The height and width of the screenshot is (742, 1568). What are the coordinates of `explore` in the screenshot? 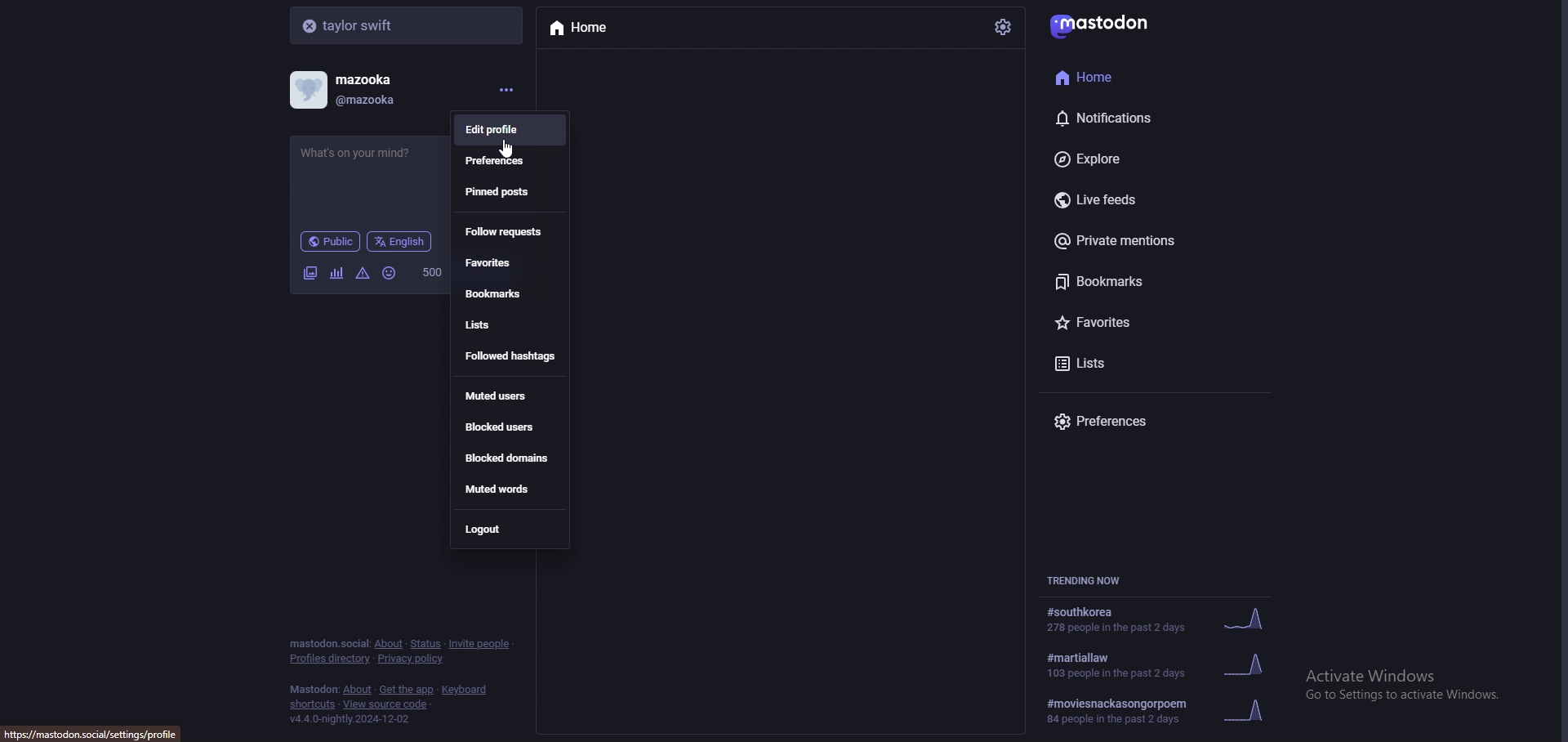 It's located at (1143, 159).